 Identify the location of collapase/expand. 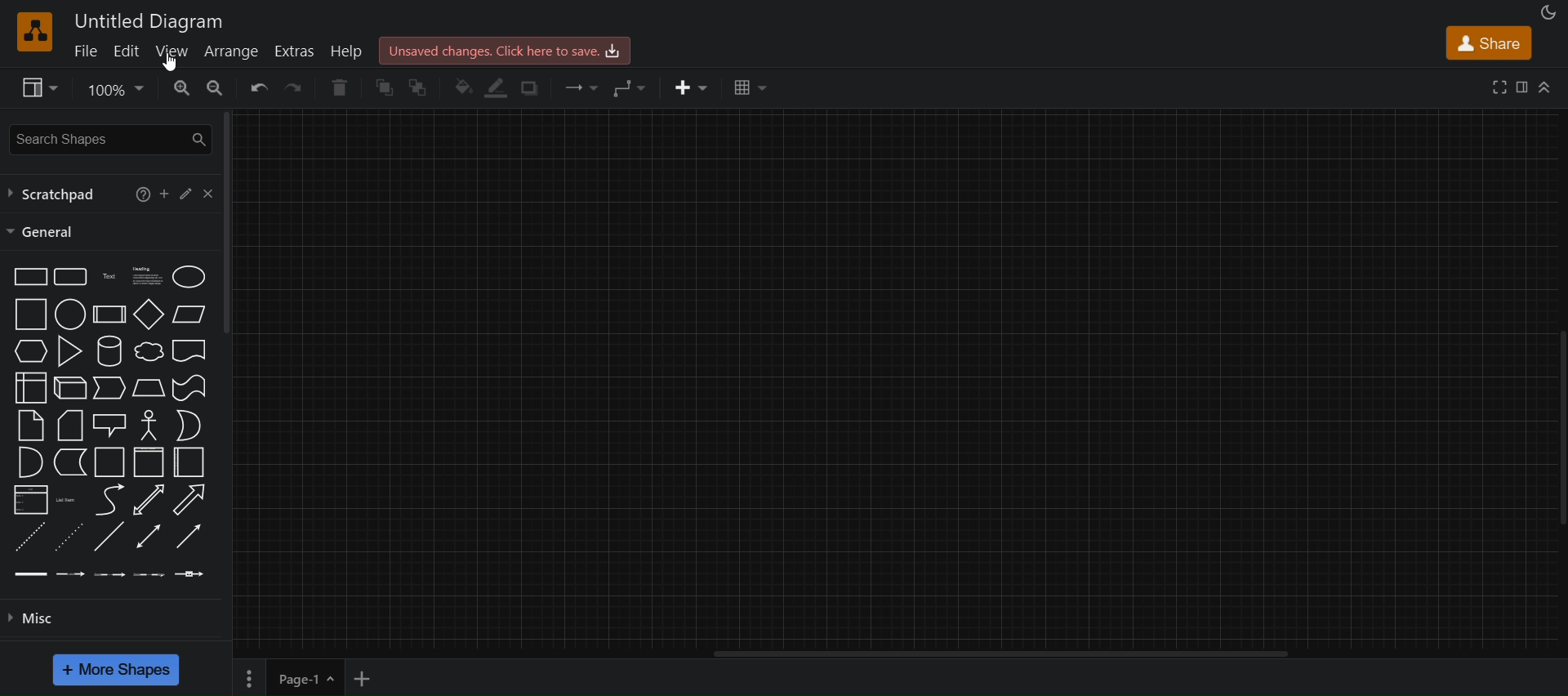
(1545, 86).